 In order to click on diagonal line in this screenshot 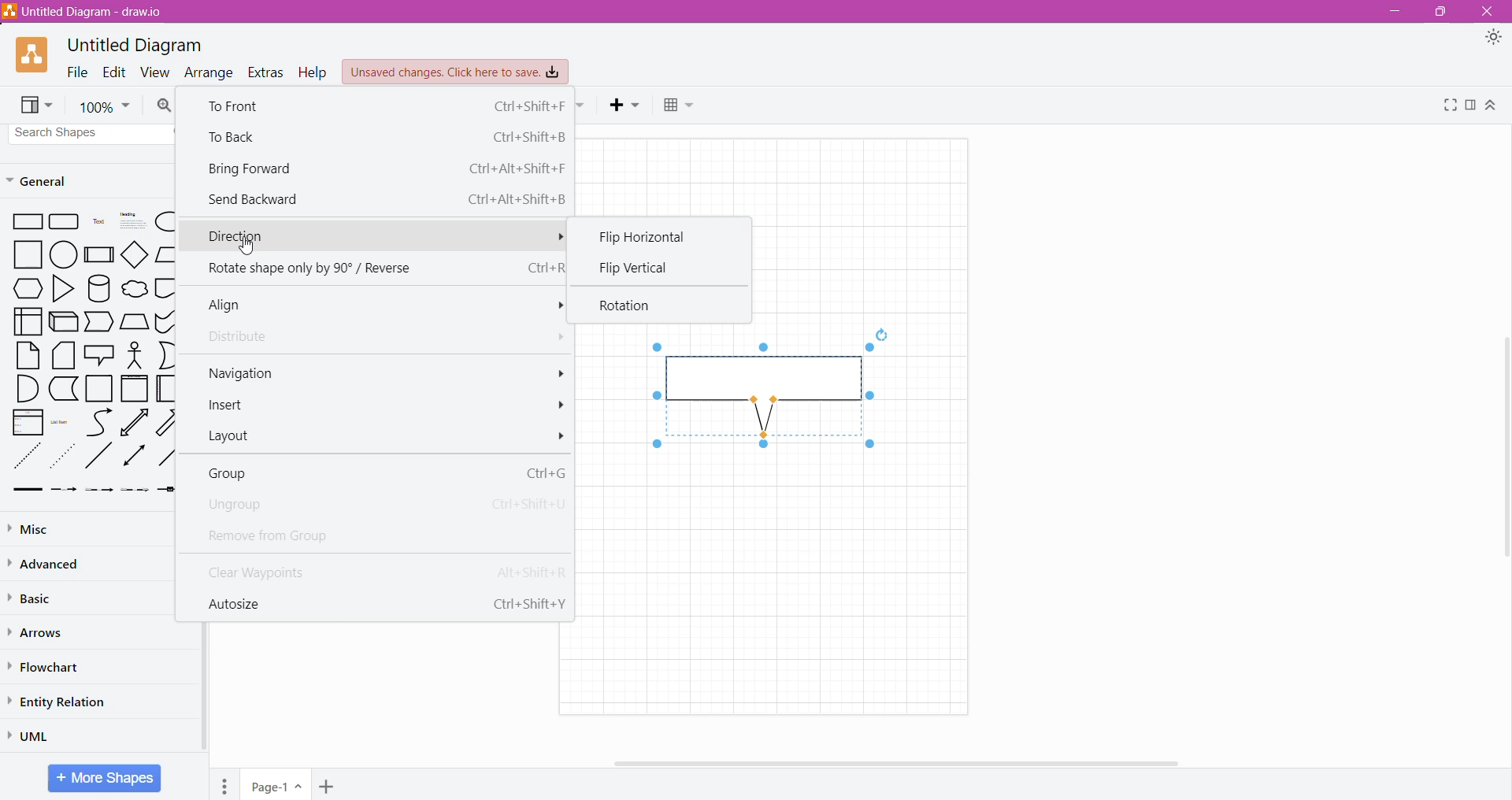, I will do `click(100, 457)`.